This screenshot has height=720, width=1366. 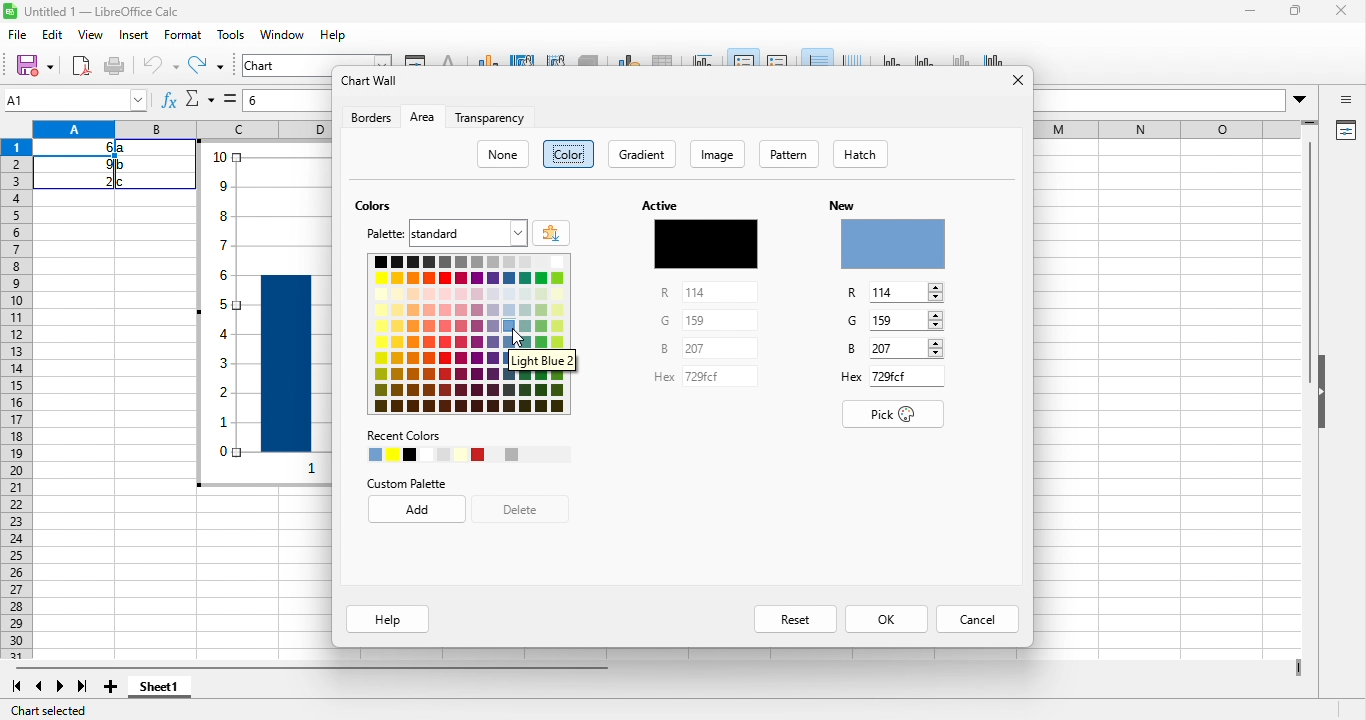 I want to click on custom palette, so click(x=411, y=483).